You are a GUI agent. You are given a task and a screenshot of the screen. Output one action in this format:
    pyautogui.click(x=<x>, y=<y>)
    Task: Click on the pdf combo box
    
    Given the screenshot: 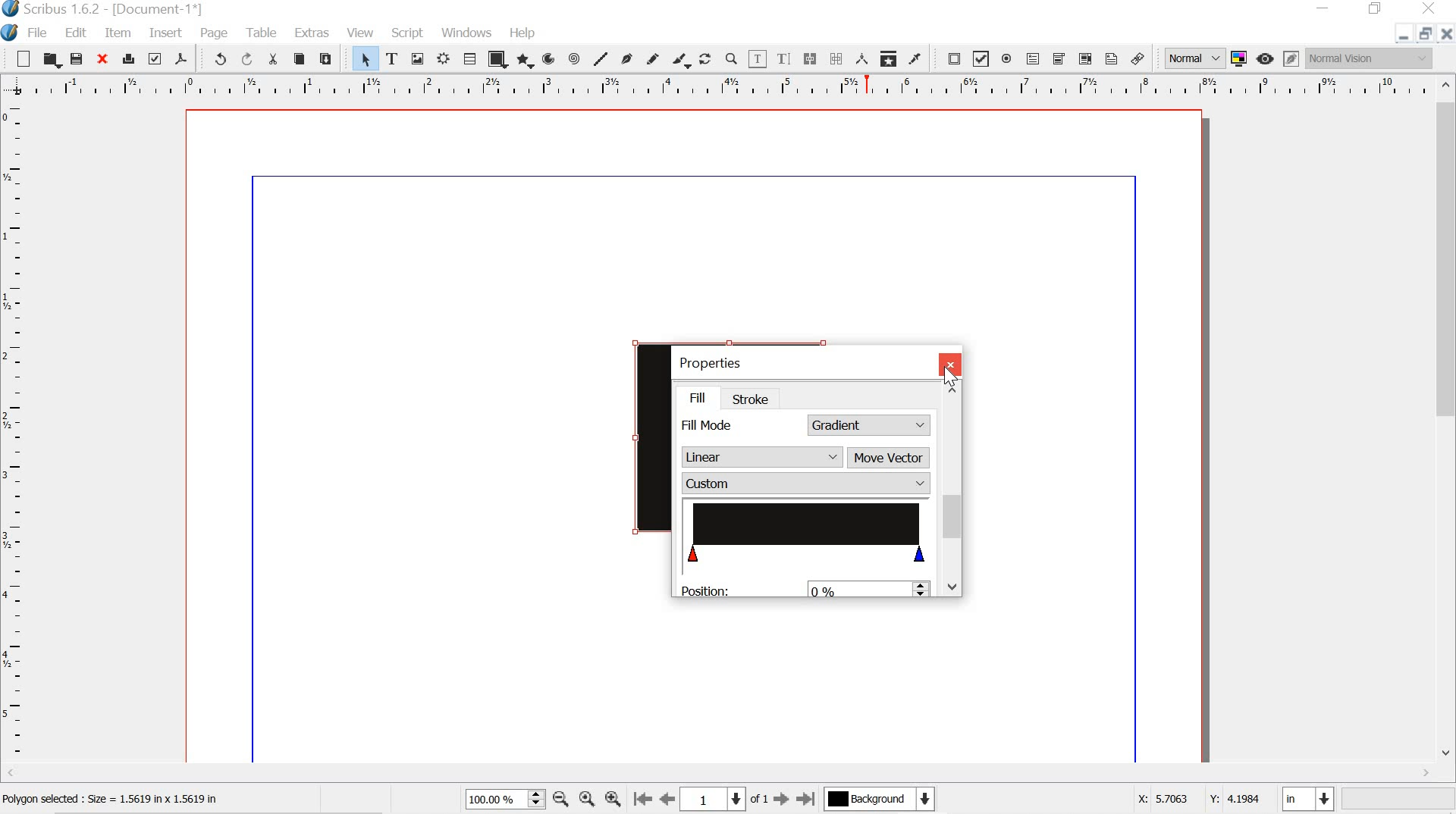 What is the action you would take?
    pyautogui.click(x=1059, y=58)
    